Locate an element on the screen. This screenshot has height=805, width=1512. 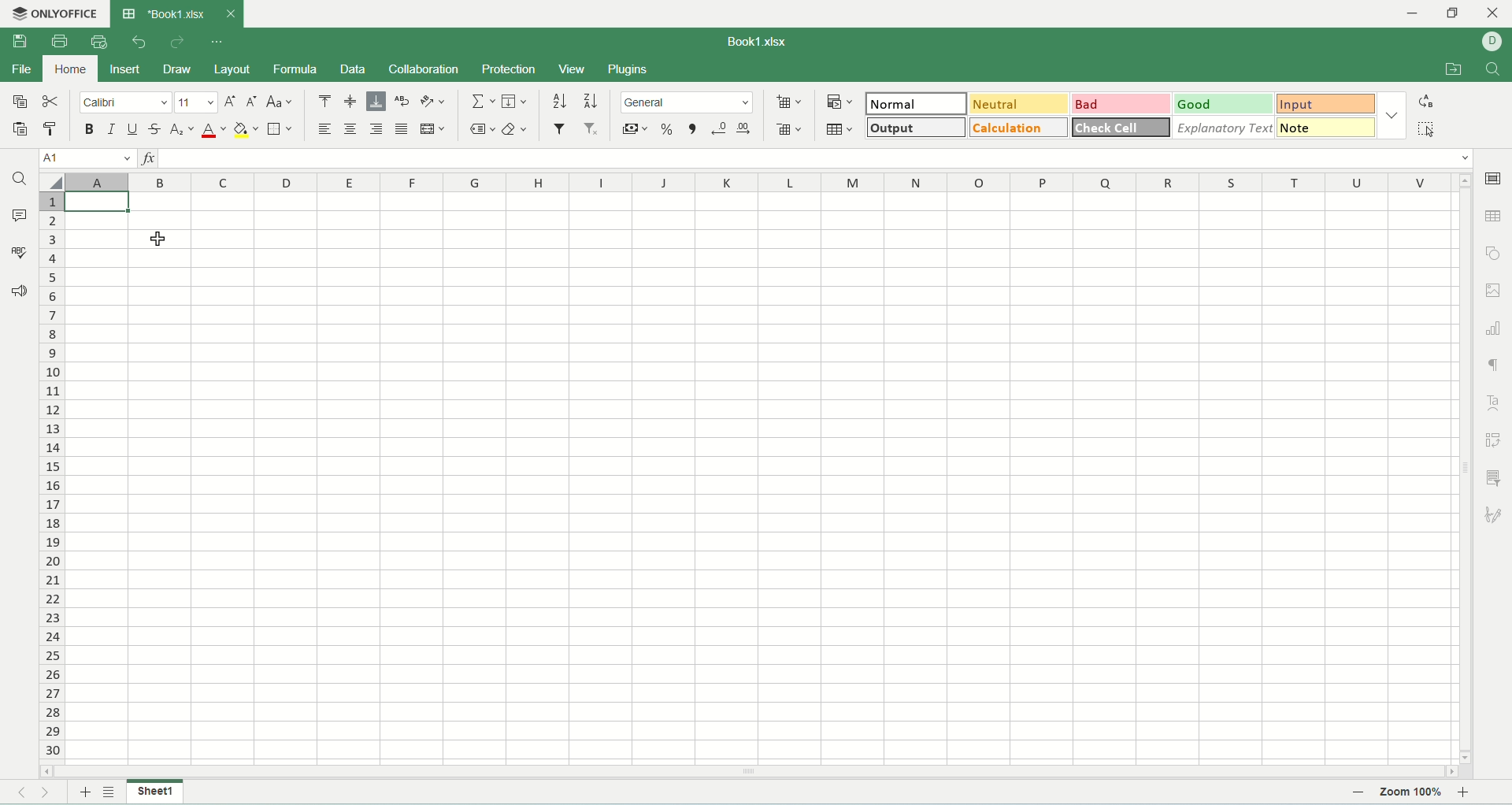
onlyoffice is located at coordinates (57, 14).